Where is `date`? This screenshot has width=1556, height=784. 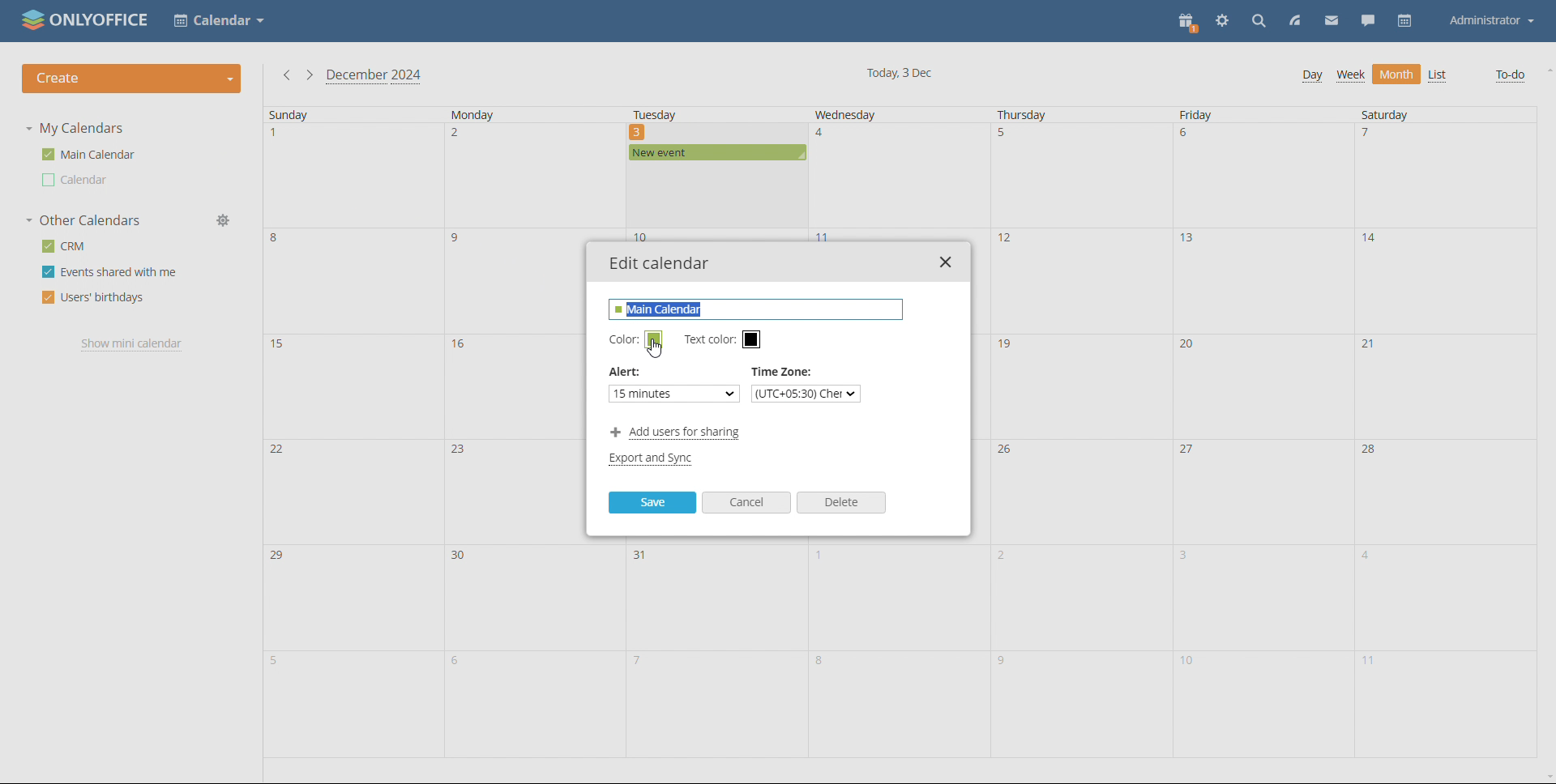
date is located at coordinates (1263, 489).